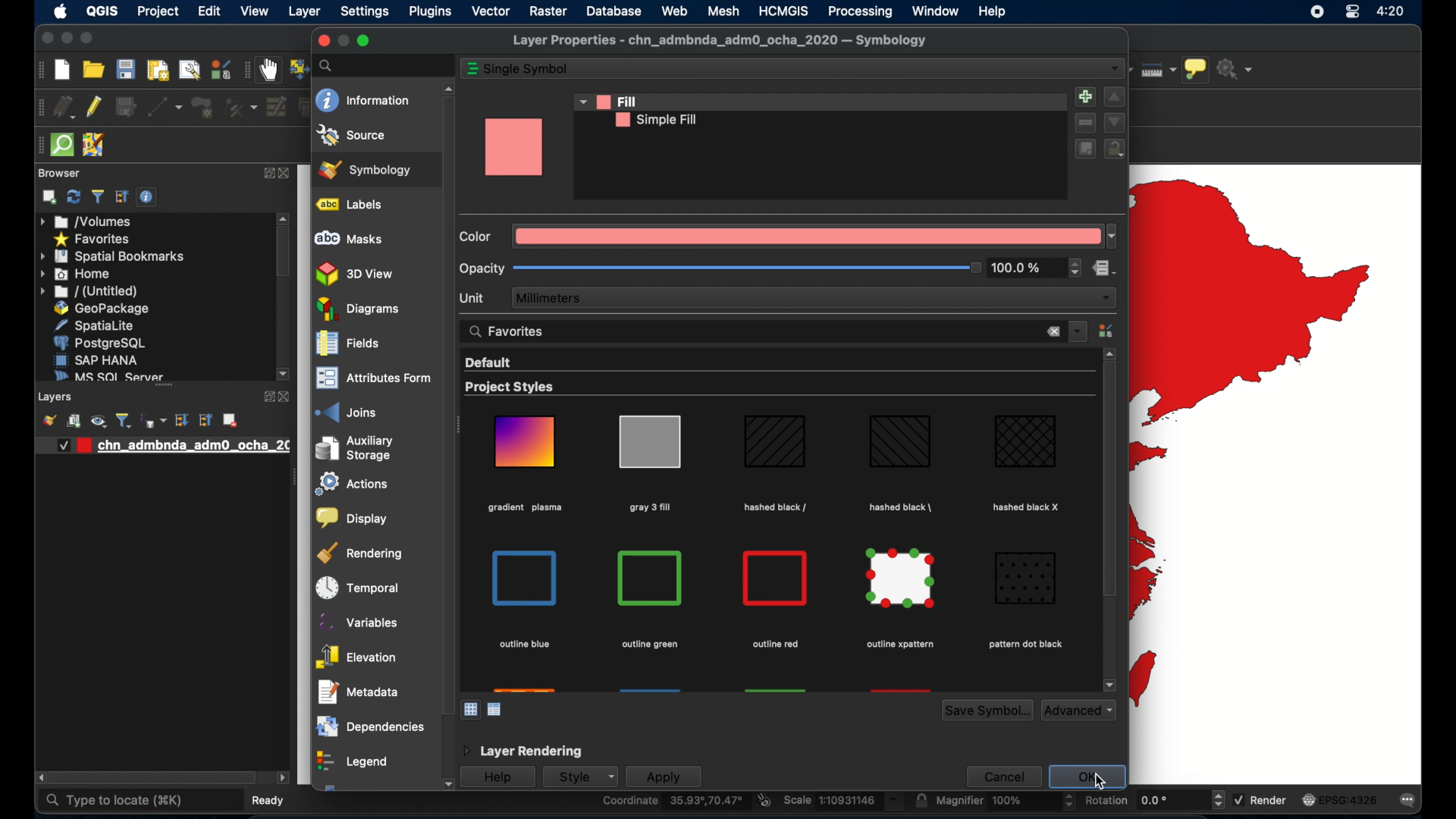  I want to click on open project , so click(93, 70).